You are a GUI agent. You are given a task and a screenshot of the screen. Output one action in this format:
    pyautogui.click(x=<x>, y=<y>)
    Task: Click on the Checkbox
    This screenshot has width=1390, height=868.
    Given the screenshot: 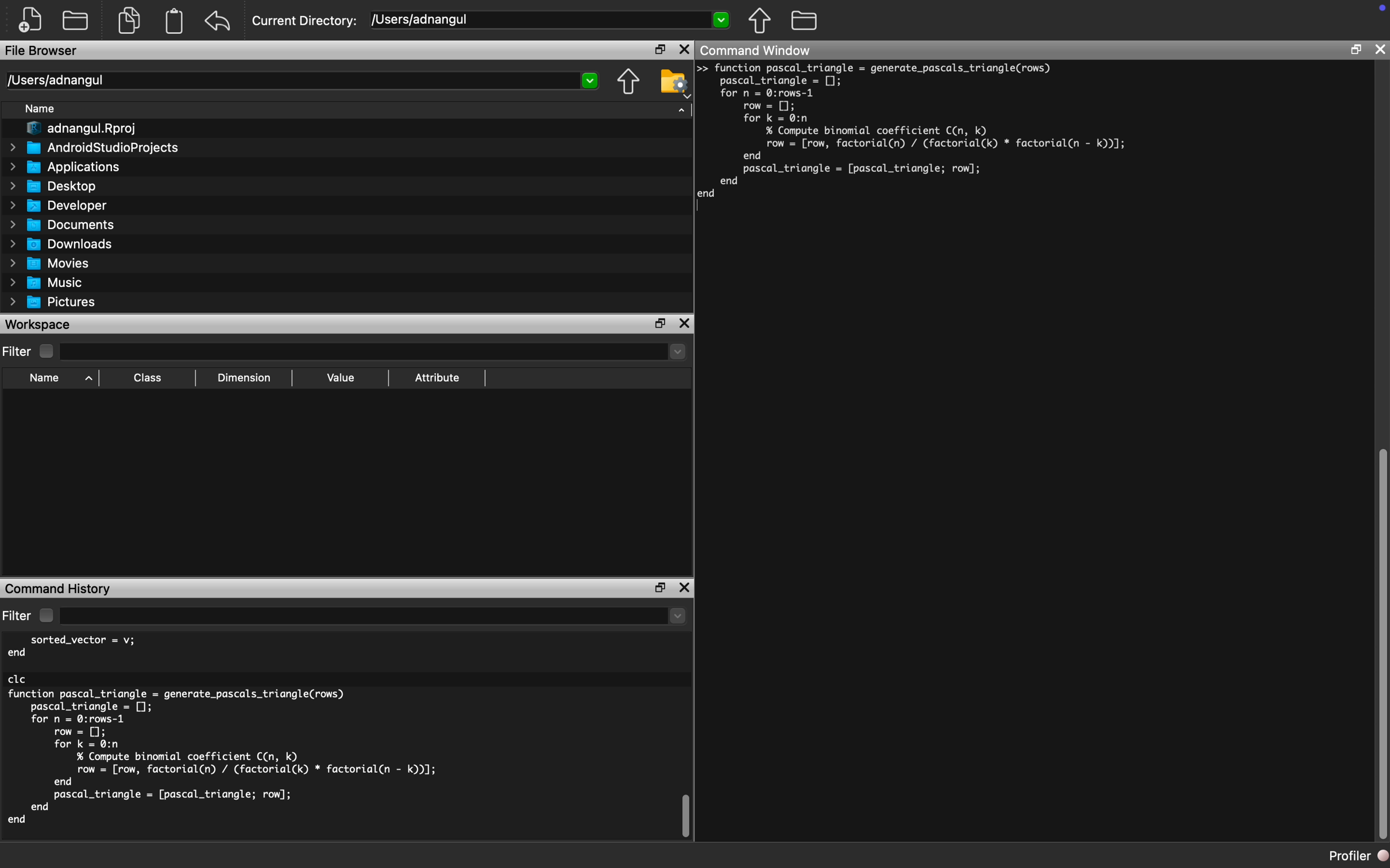 What is the action you would take?
    pyautogui.click(x=46, y=615)
    